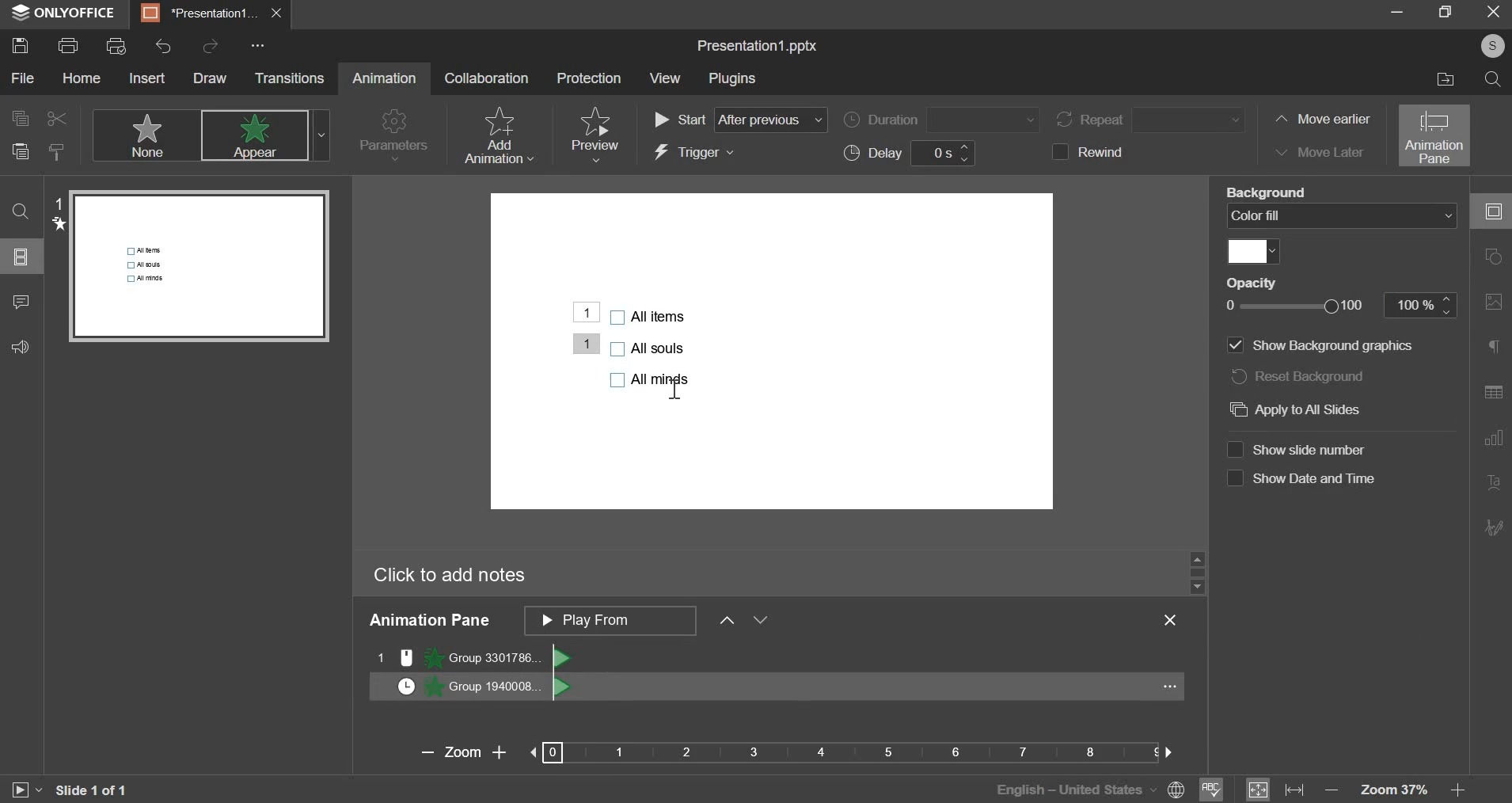 Image resolution: width=1512 pixels, height=803 pixels. Describe the element at coordinates (586, 344) in the screenshot. I see `Animation added` at that location.